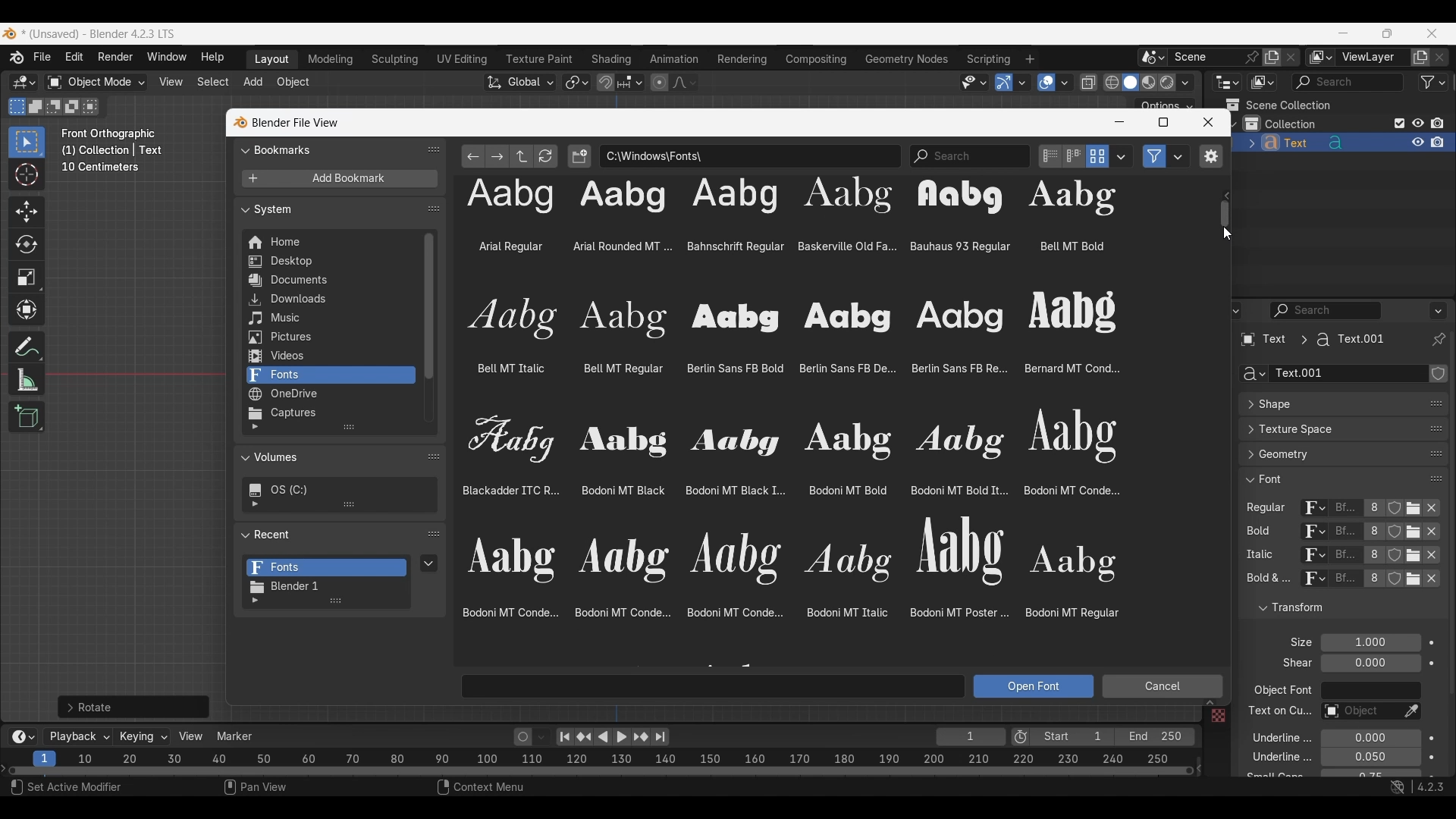 This screenshot has height=819, width=1456. What do you see at coordinates (1436, 510) in the screenshot?
I see `Unlink respective attribute` at bounding box center [1436, 510].